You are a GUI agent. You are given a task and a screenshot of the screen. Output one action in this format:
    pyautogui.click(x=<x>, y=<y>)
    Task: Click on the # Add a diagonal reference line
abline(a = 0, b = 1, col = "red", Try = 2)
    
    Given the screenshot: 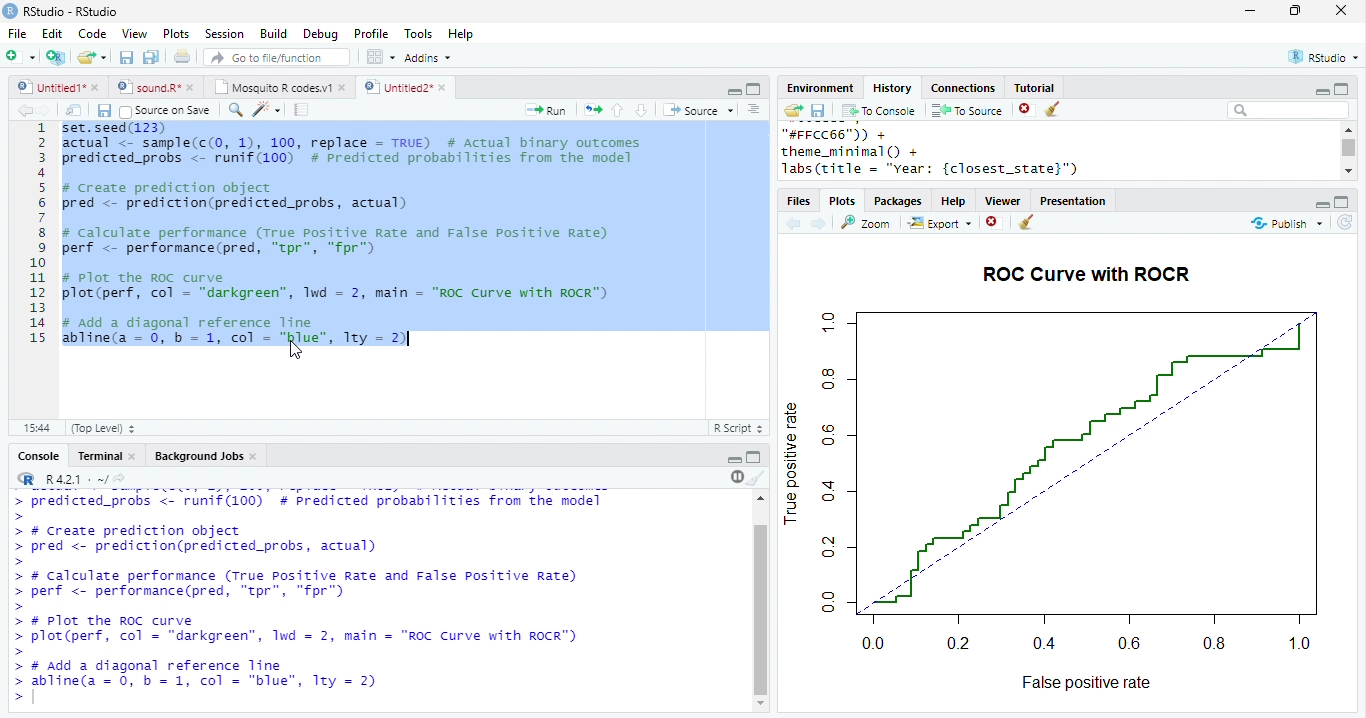 What is the action you would take?
    pyautogui.click(x=234, y=330)
    